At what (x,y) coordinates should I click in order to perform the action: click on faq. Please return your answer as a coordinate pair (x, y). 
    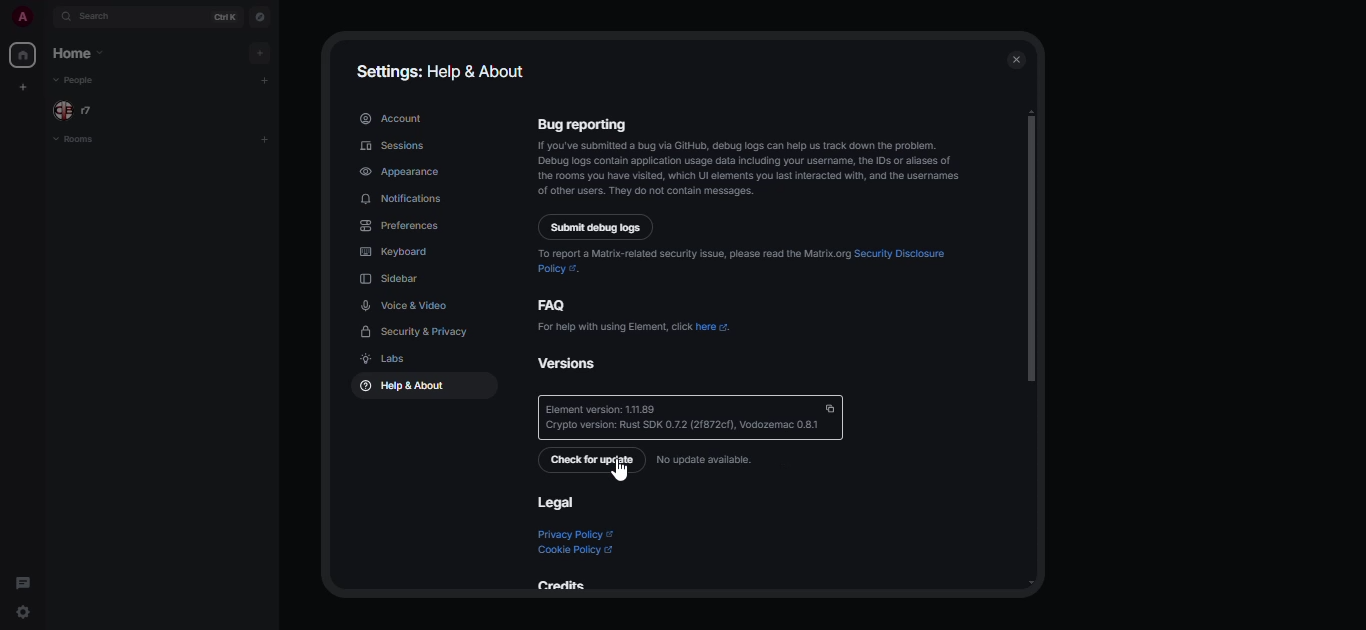
    Looking at the image, I should click on (555, 304).